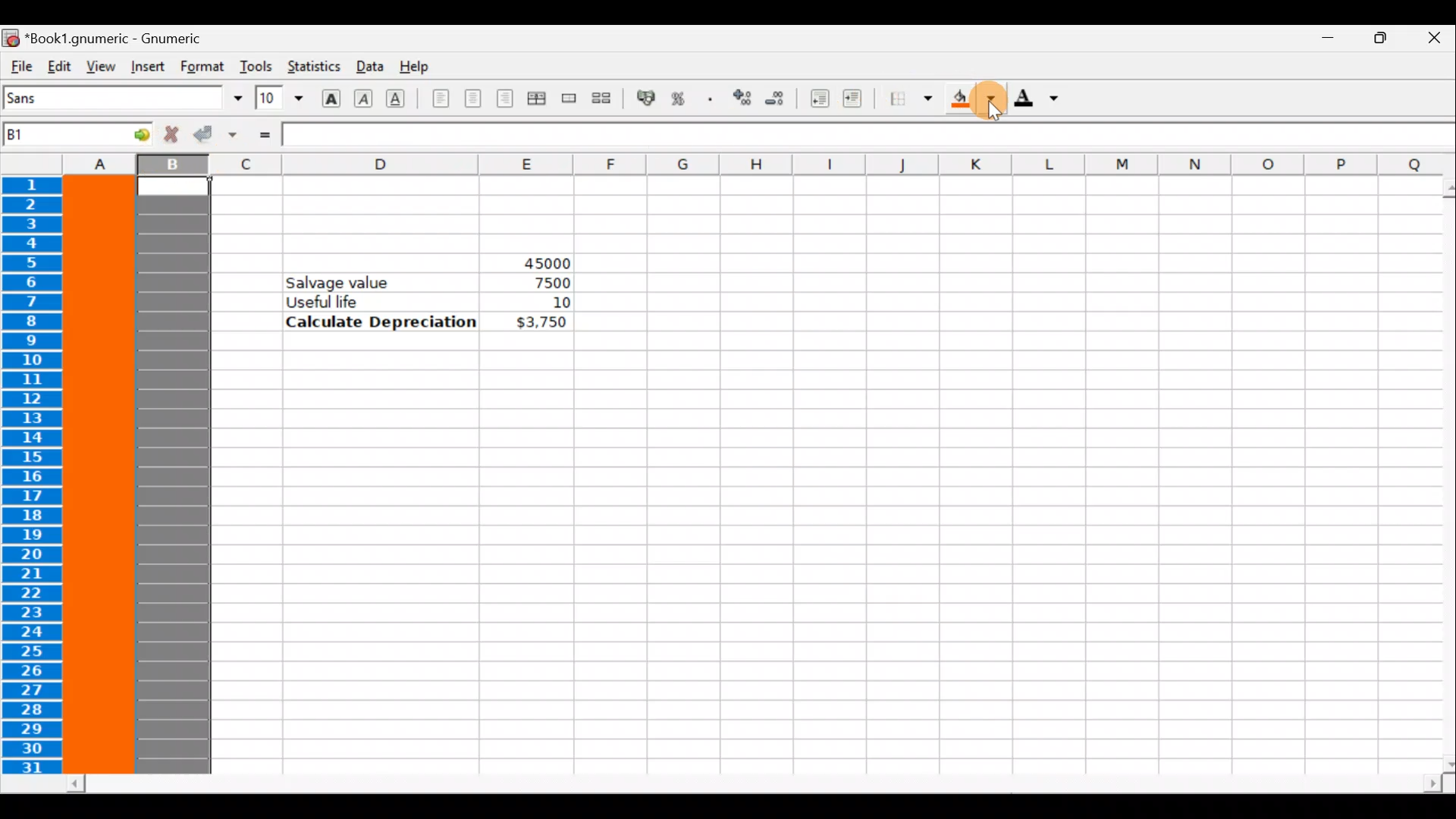 Image resolution: width=1456 pixels, height=819 pixels. Describe the element at coordinates (755, 784) in the screenshot. I see `Scroll bar` at that location.